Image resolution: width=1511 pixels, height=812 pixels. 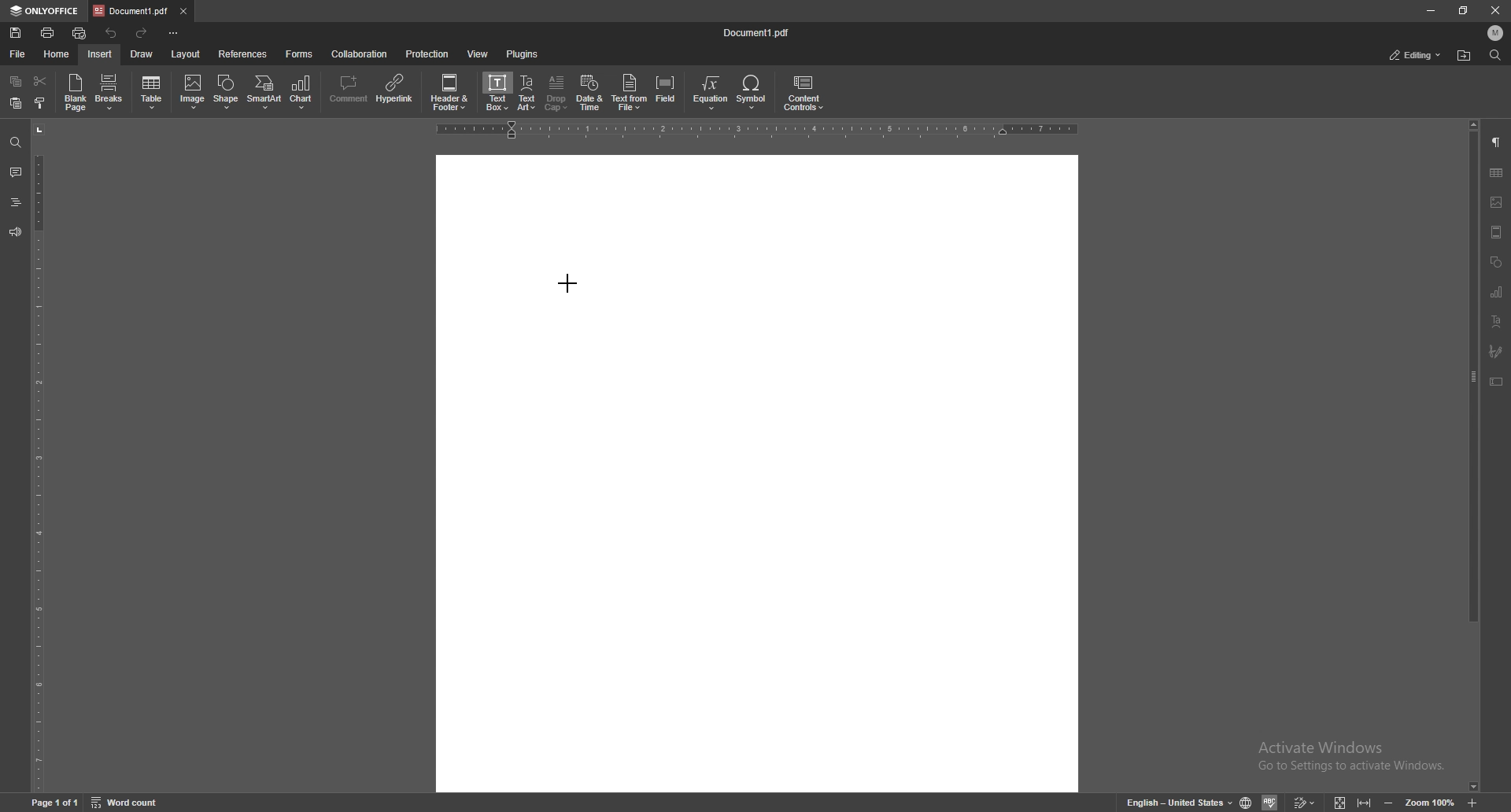 What do you see at coordinates (109, 92) in the screenshot?
I see `breaks` at bounding box center [109, 92].